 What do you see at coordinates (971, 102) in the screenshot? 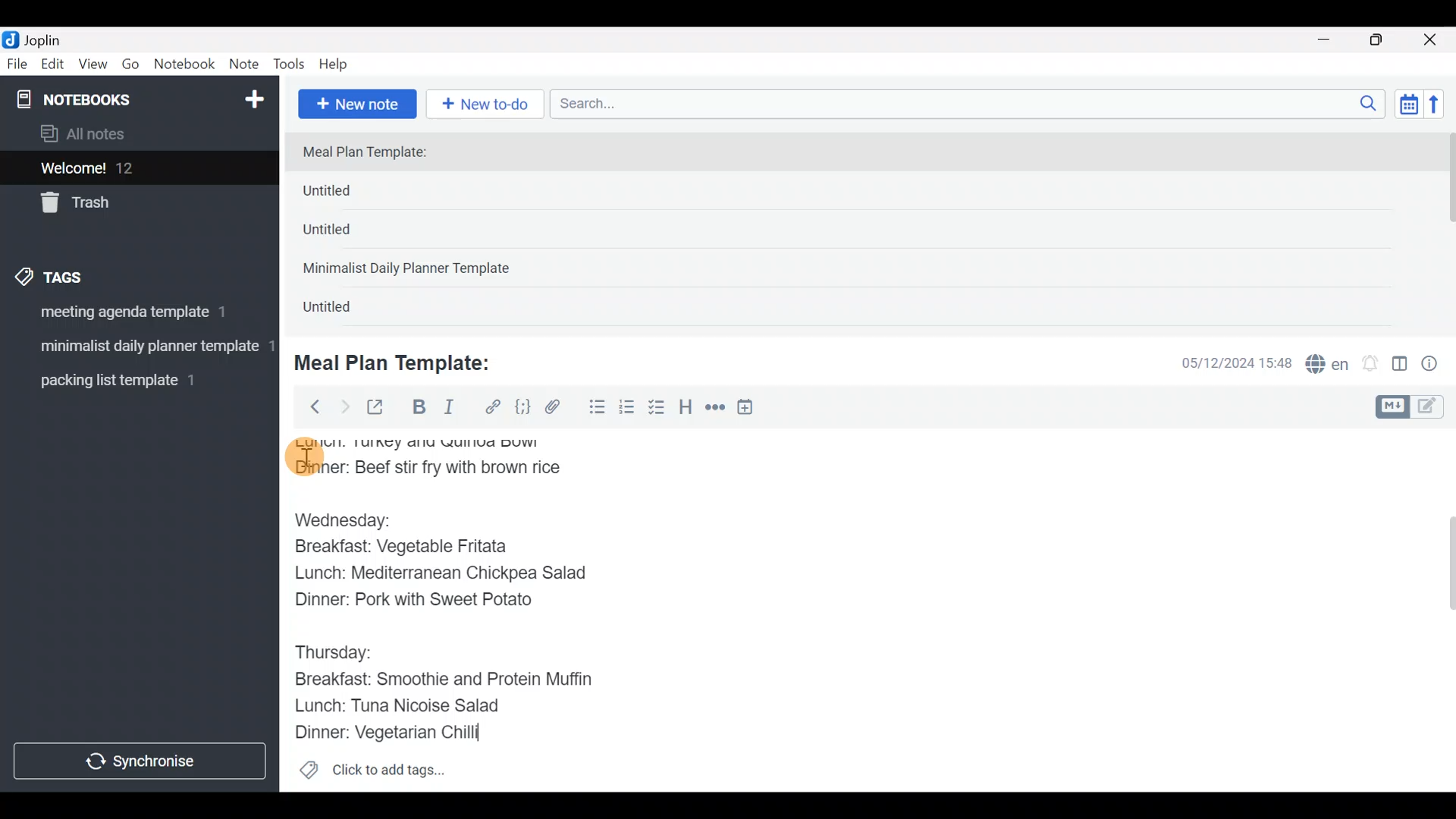
I see `Search bar` at bounding box center [971, 102].